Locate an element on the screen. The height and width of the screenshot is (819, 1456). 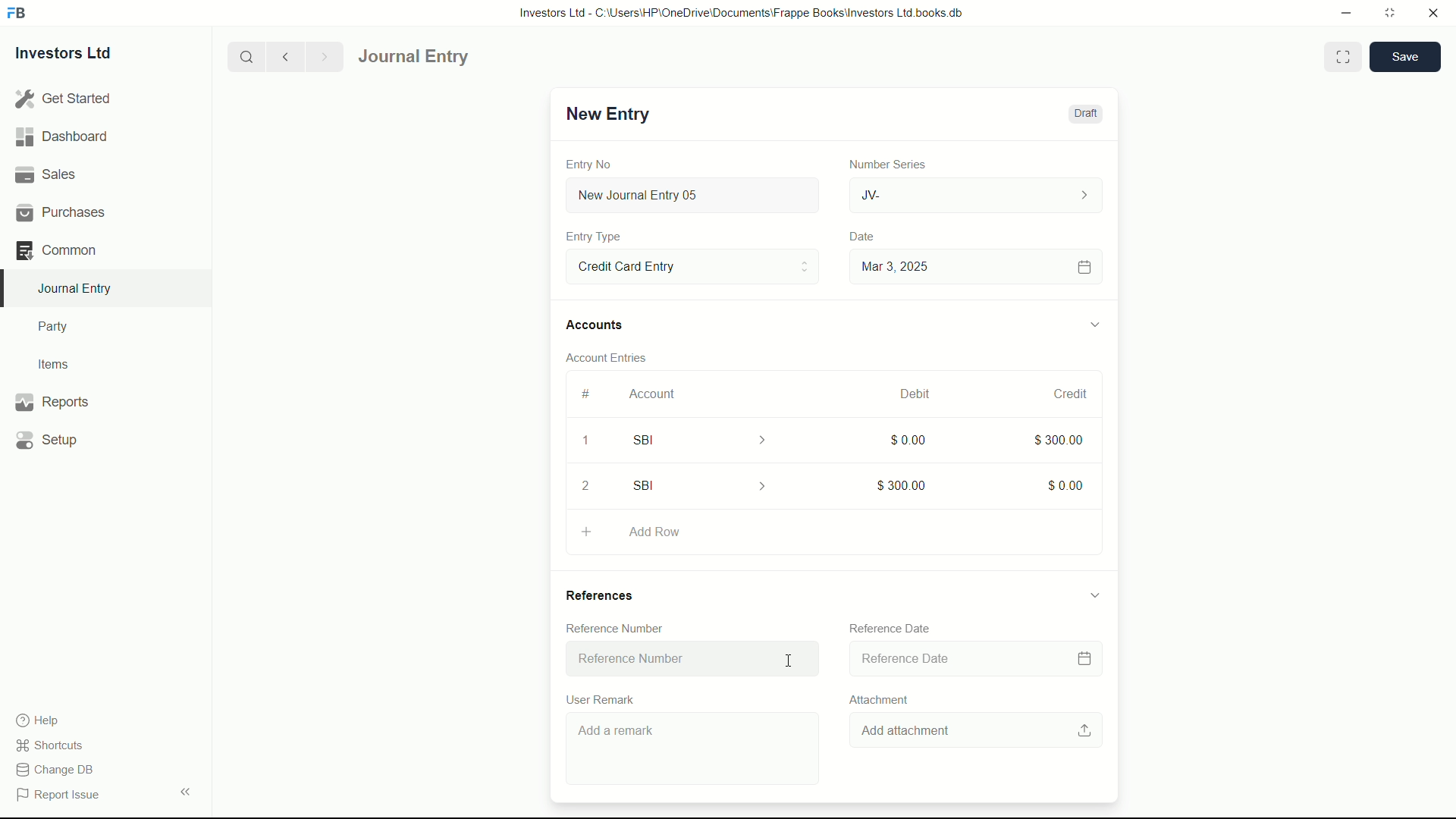
Draft is located at coordinates (1084, 114).